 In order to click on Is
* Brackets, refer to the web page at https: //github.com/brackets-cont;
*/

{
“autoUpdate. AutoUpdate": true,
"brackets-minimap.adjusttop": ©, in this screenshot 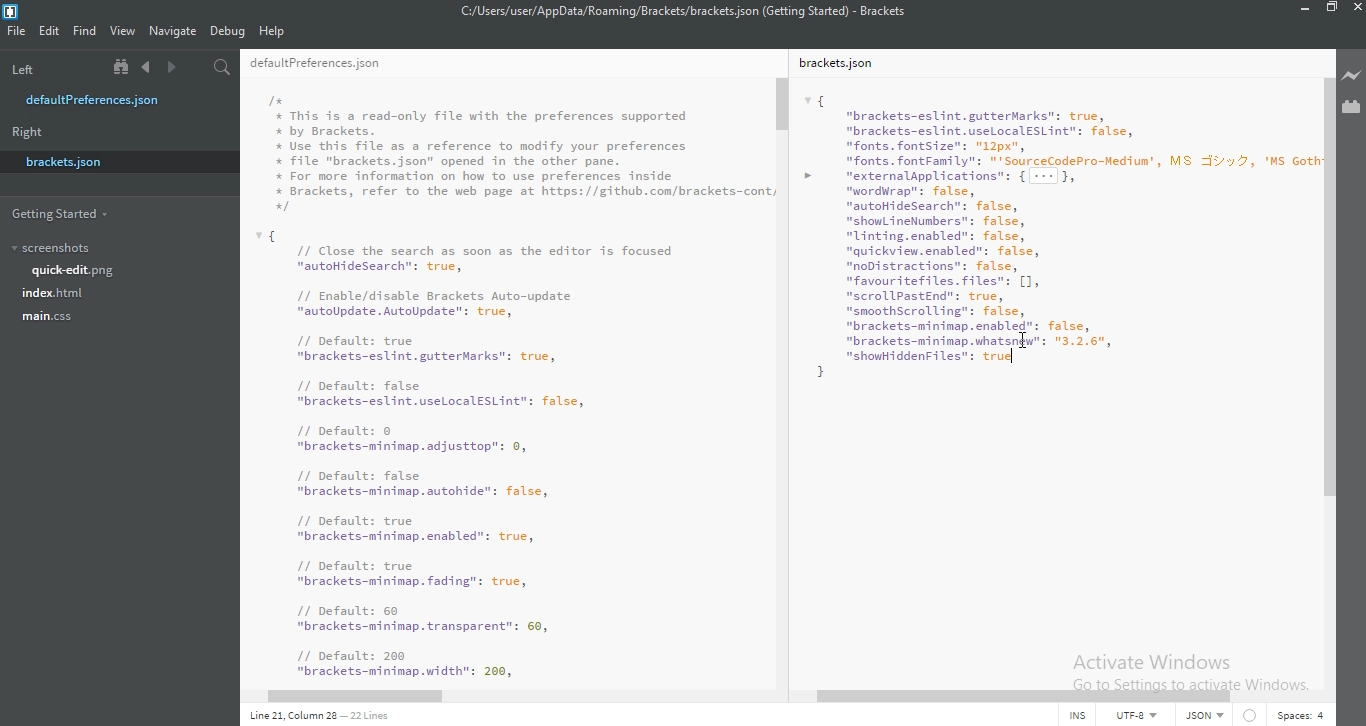, I will do `click(517, 385)`.